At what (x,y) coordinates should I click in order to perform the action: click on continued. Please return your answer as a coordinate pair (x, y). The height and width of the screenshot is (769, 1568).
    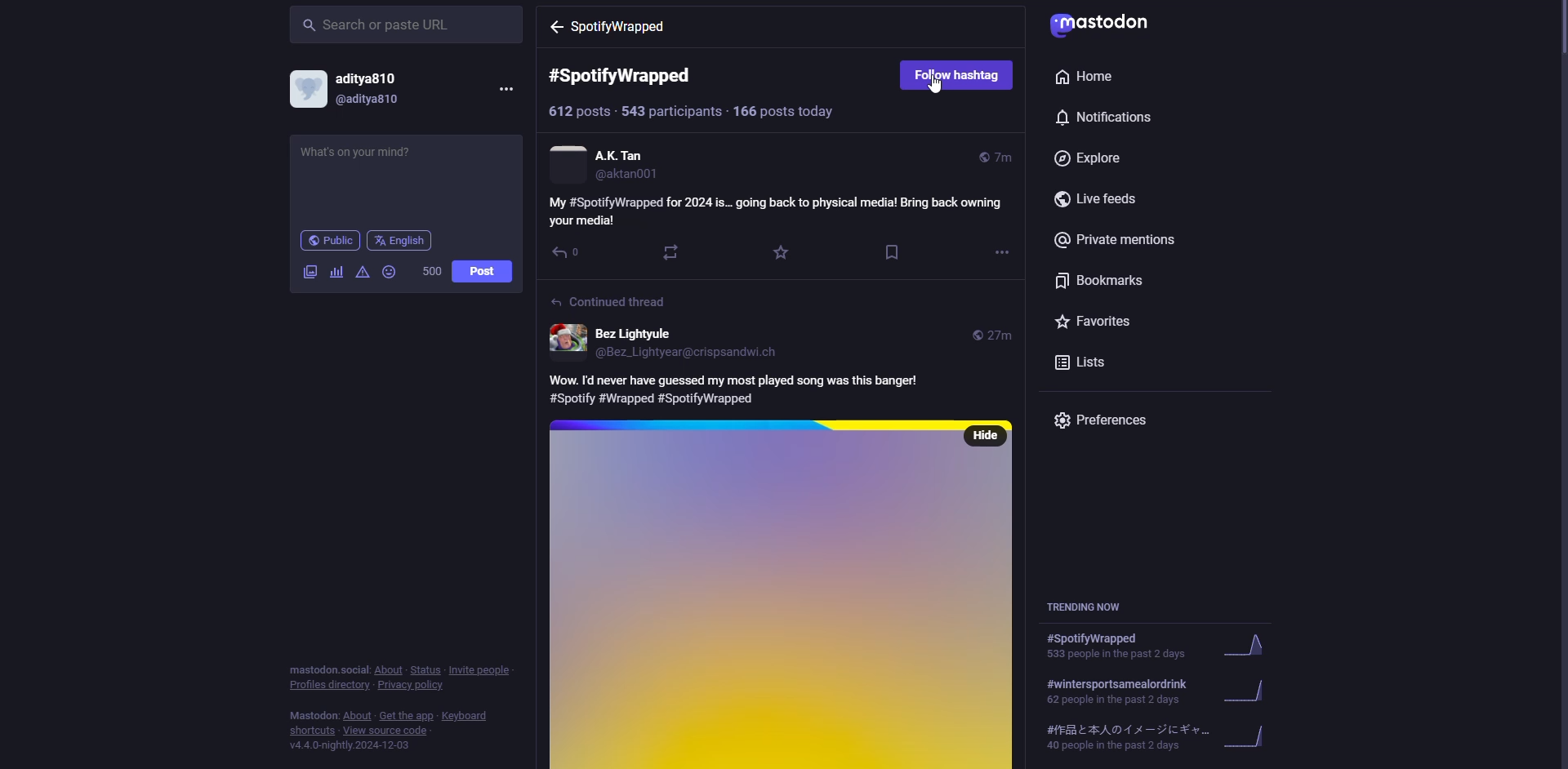
    Looking at the image, I should click on (611, 302).